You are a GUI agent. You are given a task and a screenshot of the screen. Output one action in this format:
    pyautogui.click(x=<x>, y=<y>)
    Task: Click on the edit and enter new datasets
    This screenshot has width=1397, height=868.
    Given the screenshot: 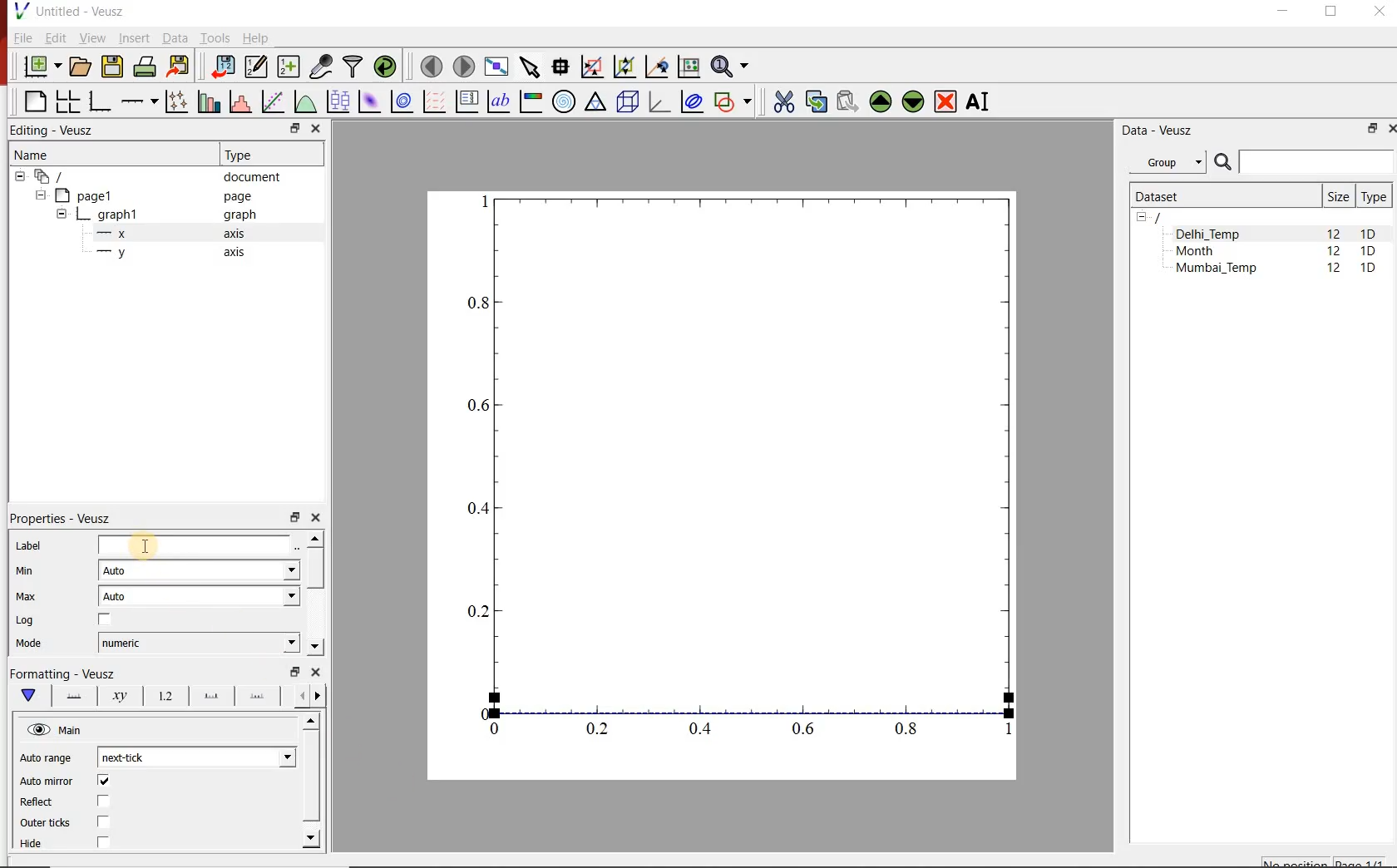 What is the action you would take?
    pyautogui.click(x=255, y=67)
    